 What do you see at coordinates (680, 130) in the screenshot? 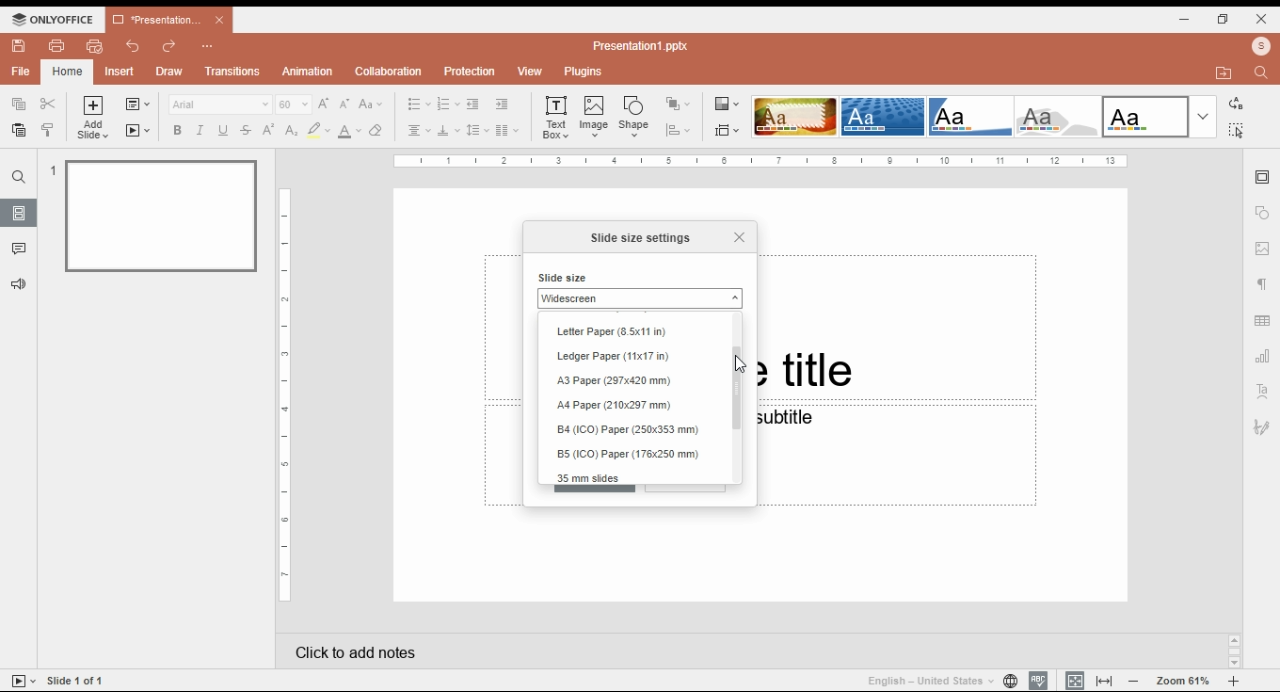
I see `align shape` at bounding box center [680, 130].